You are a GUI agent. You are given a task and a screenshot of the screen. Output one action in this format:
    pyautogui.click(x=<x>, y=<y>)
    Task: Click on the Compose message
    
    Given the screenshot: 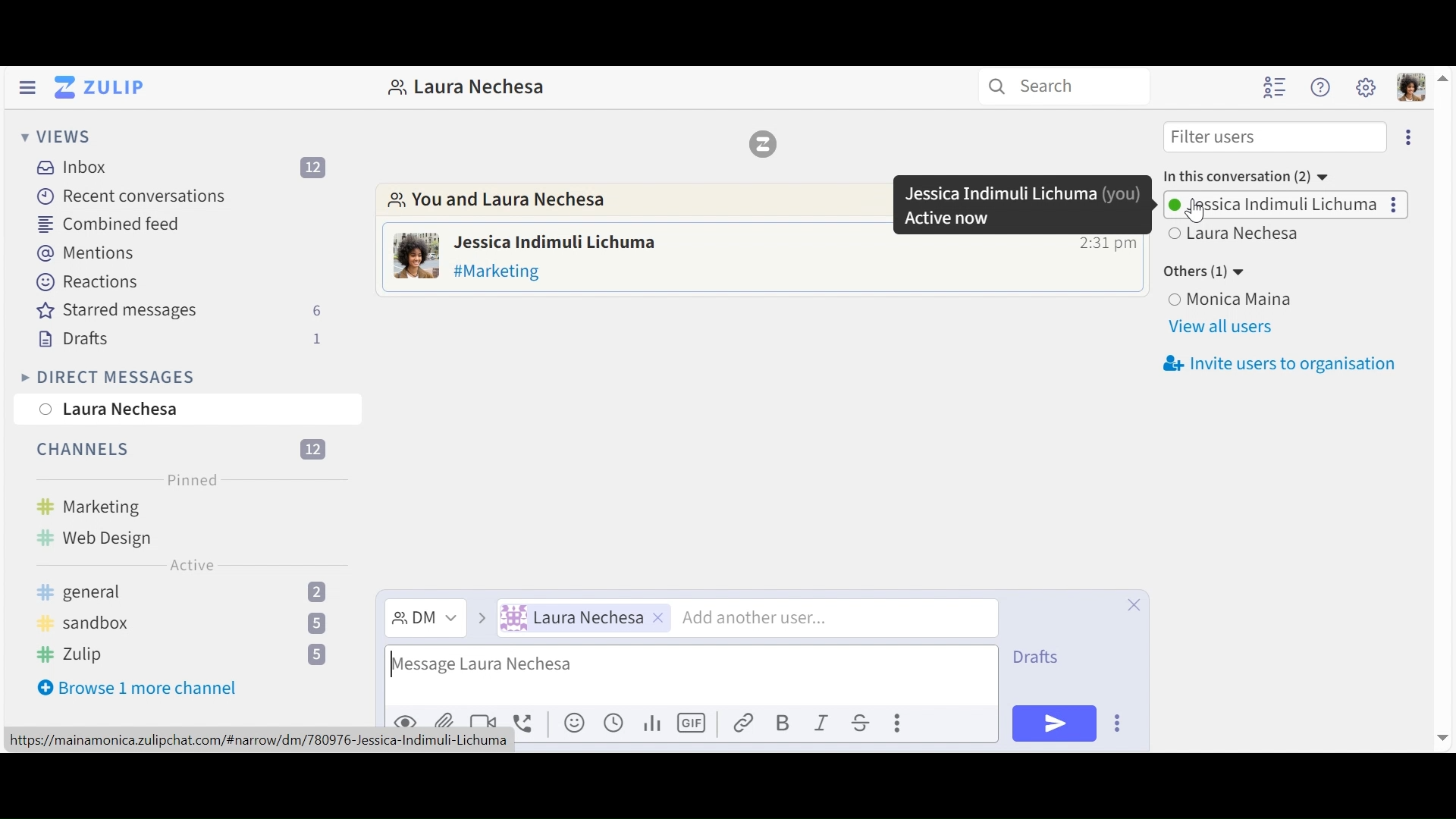 What is the action you would take?
    pyautogui.click(x=695, y=676)
    